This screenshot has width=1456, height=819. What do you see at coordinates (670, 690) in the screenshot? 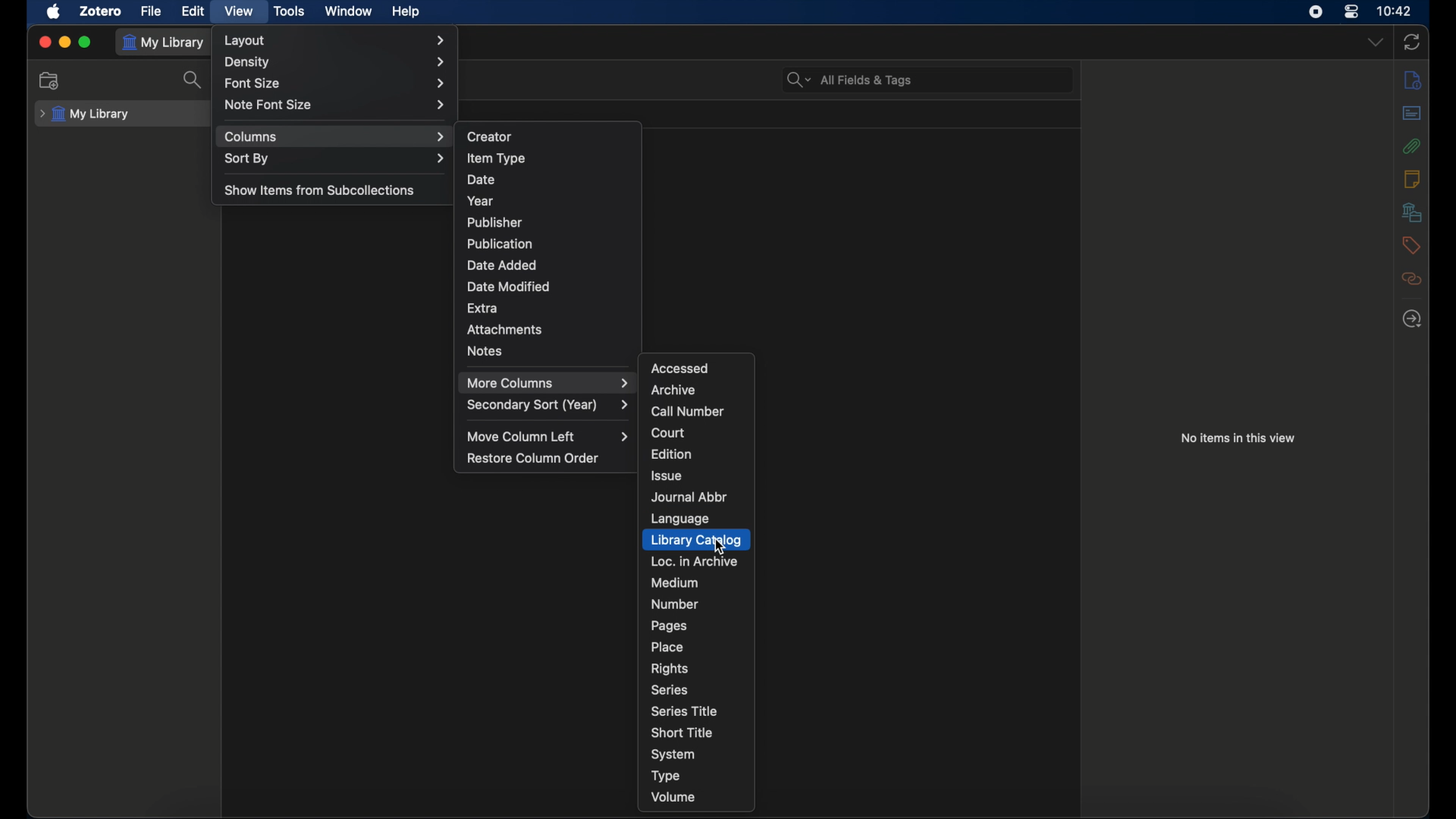
I see `series` at bounding box center [670, 690].